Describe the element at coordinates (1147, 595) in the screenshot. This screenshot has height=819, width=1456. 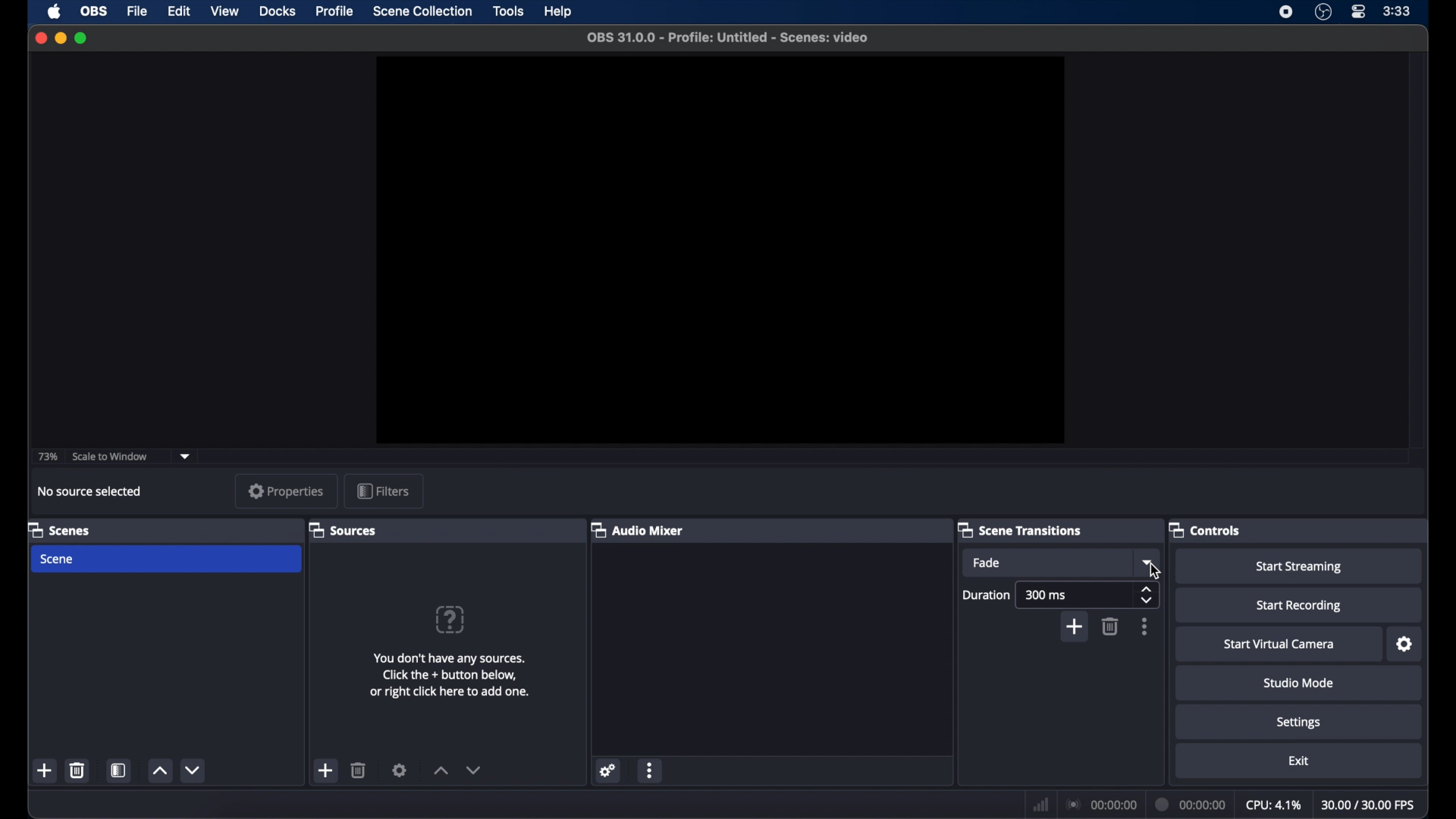
I see `stepper buttons` at that location.